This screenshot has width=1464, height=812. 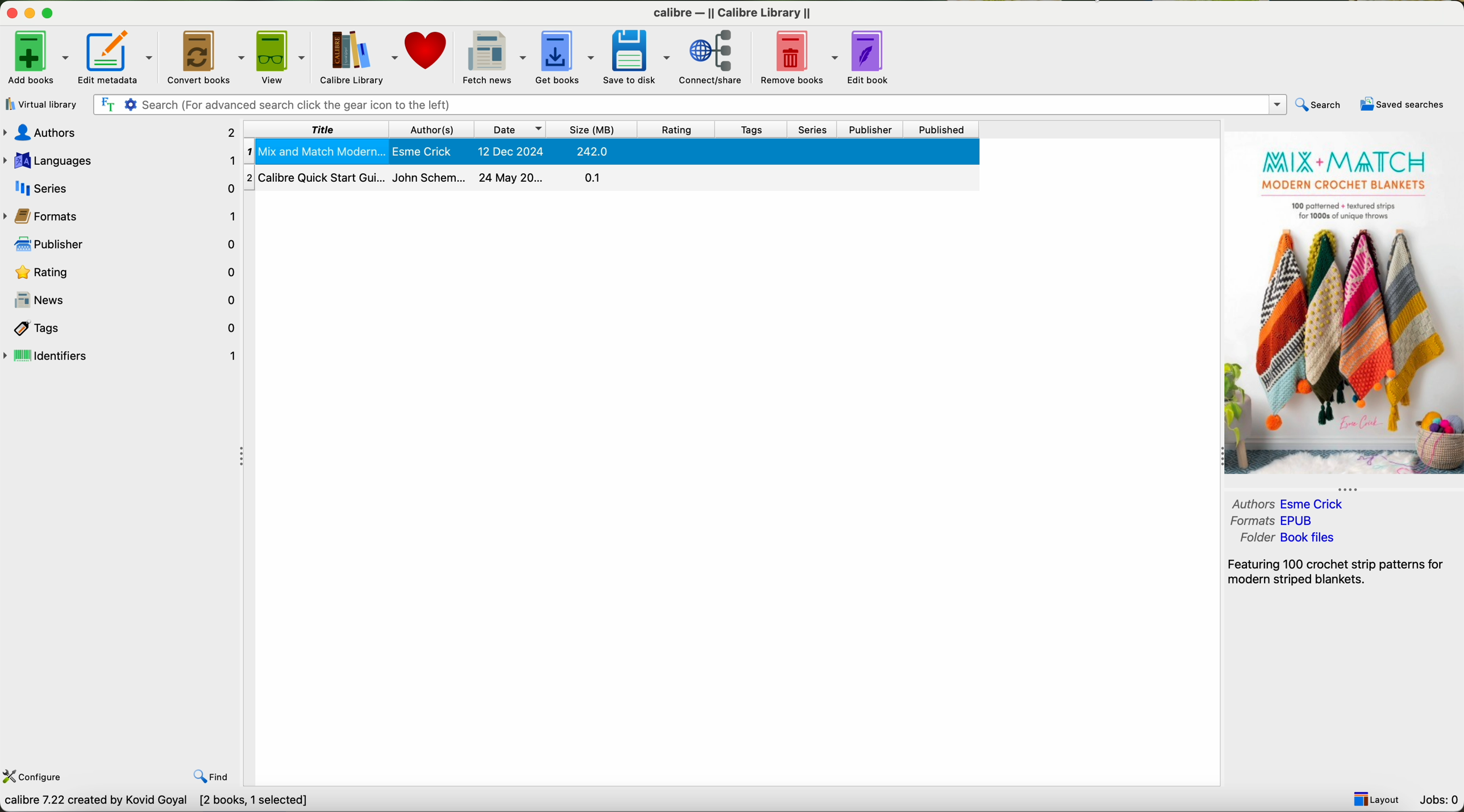 I want to click on cursor, so click(x=108, y=57).